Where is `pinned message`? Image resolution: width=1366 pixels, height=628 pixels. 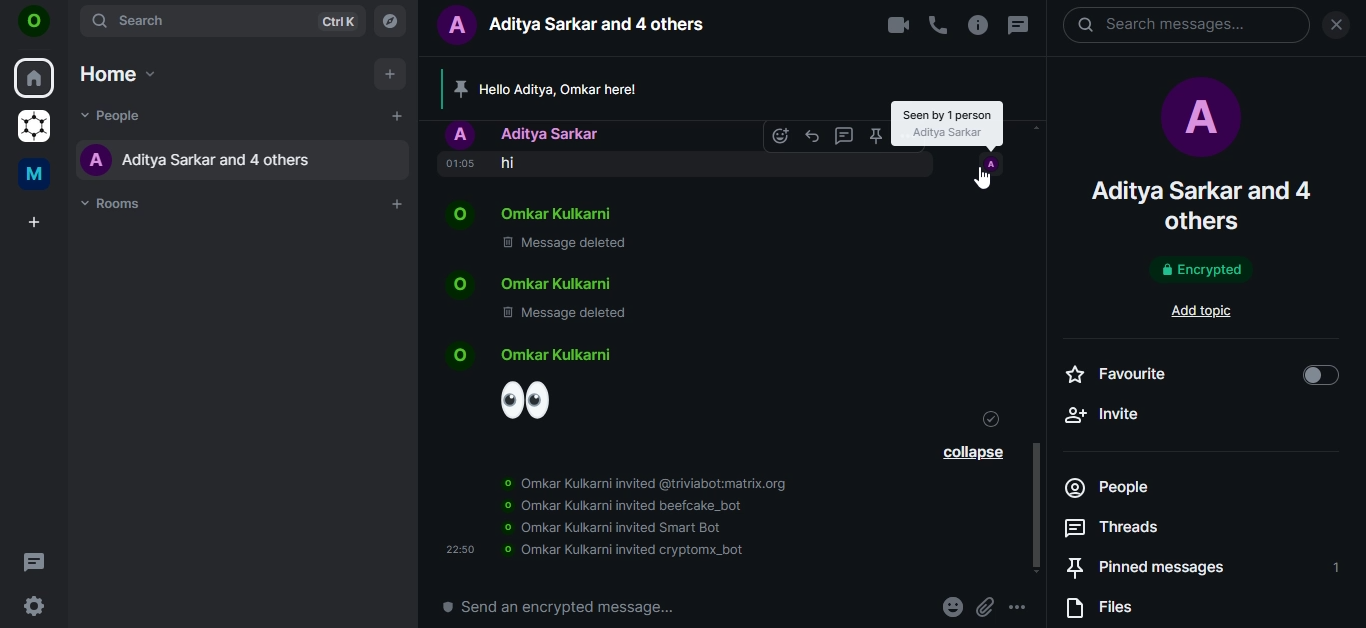 pinned message is located at coordinates (873, 136).